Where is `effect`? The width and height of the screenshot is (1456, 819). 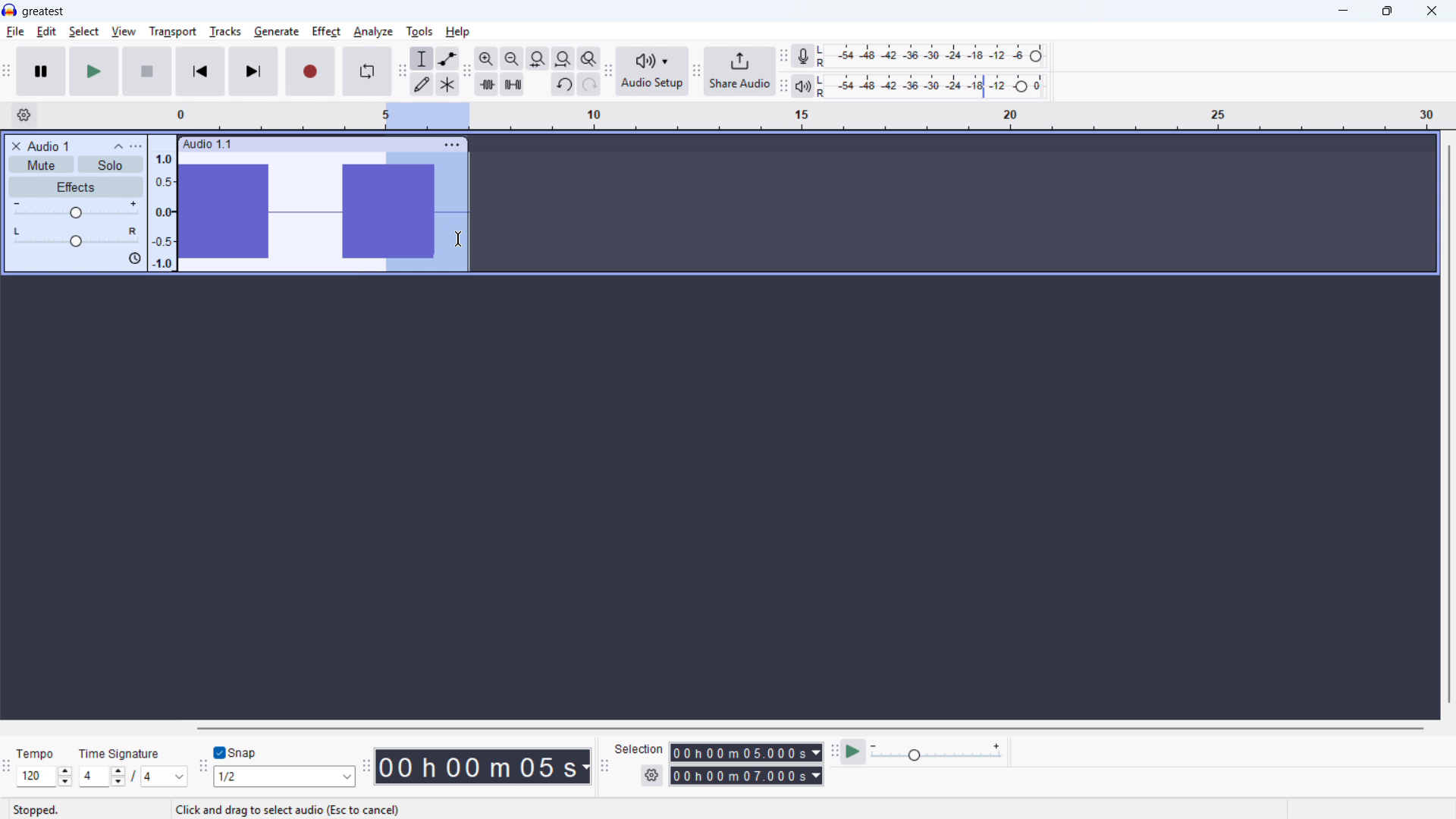 effect is located at coordinates (326, 32).